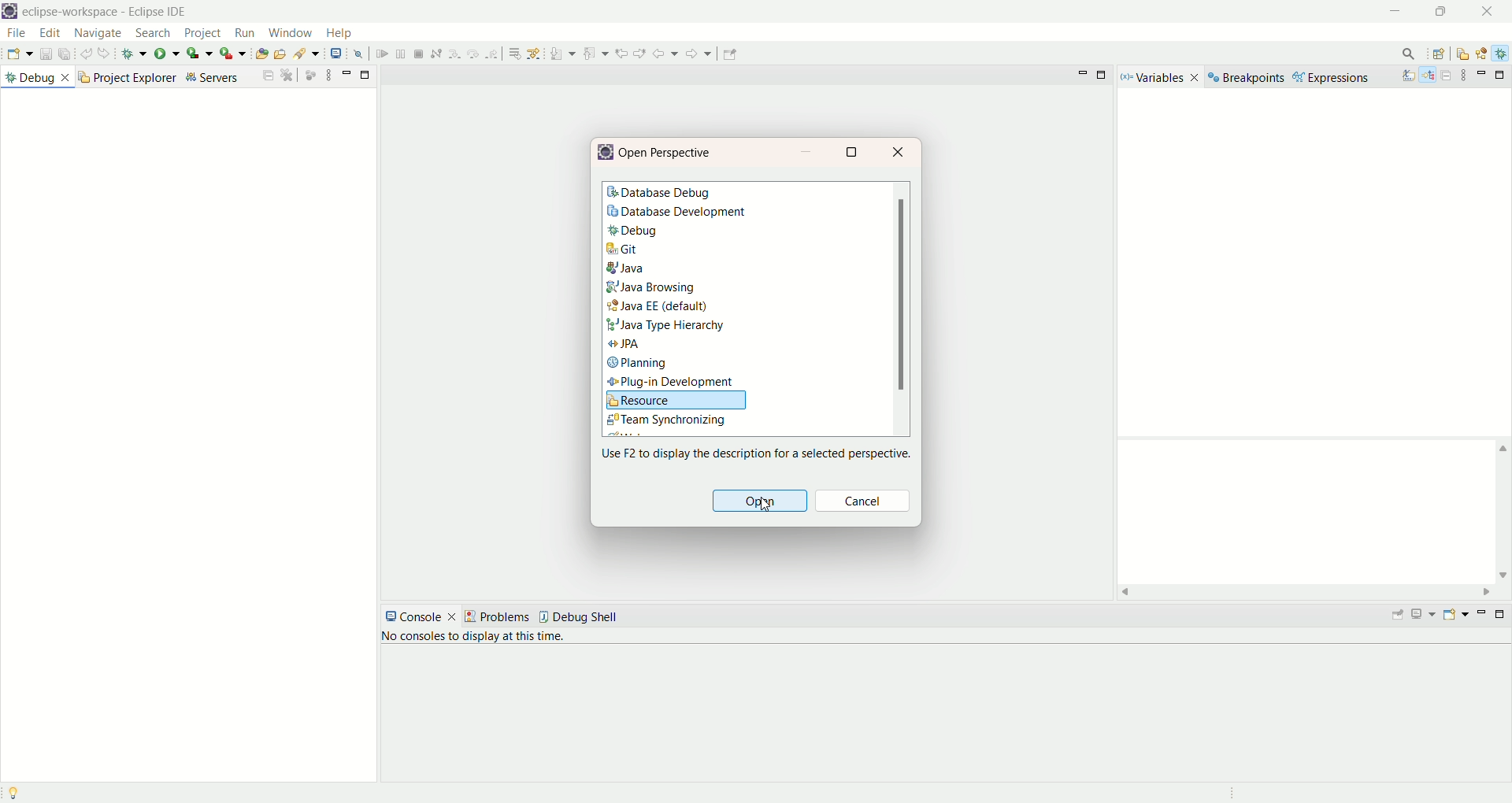 The image size is (1512, 803). Describe the element at coordinates (622, 249) in the screenshot. I see `git` at that location.